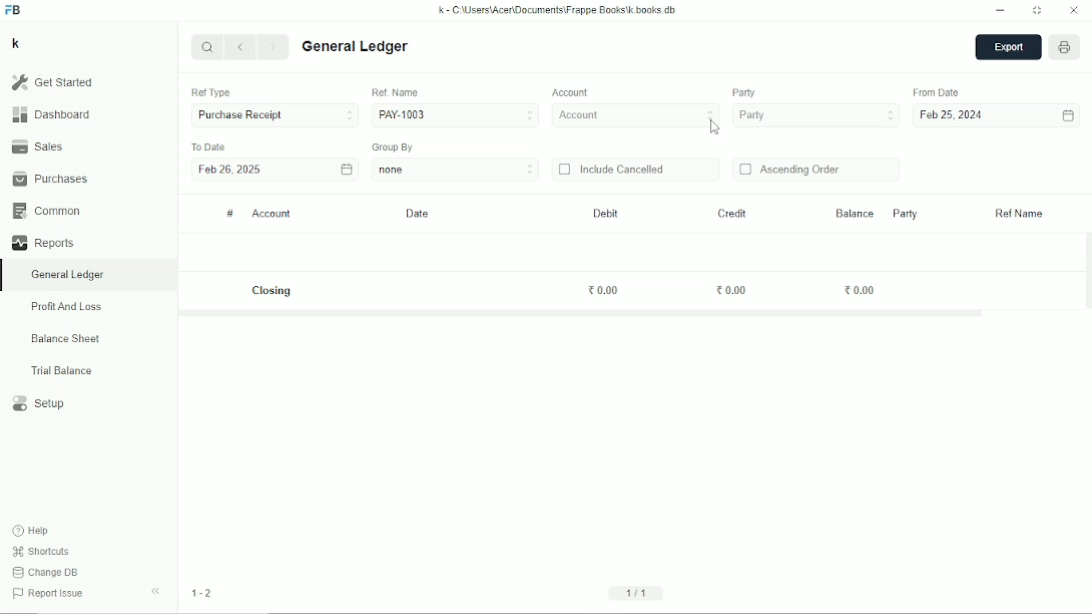 This screenshot has width=1092, height=614. I want to click on Cursor, so click(714, 127).